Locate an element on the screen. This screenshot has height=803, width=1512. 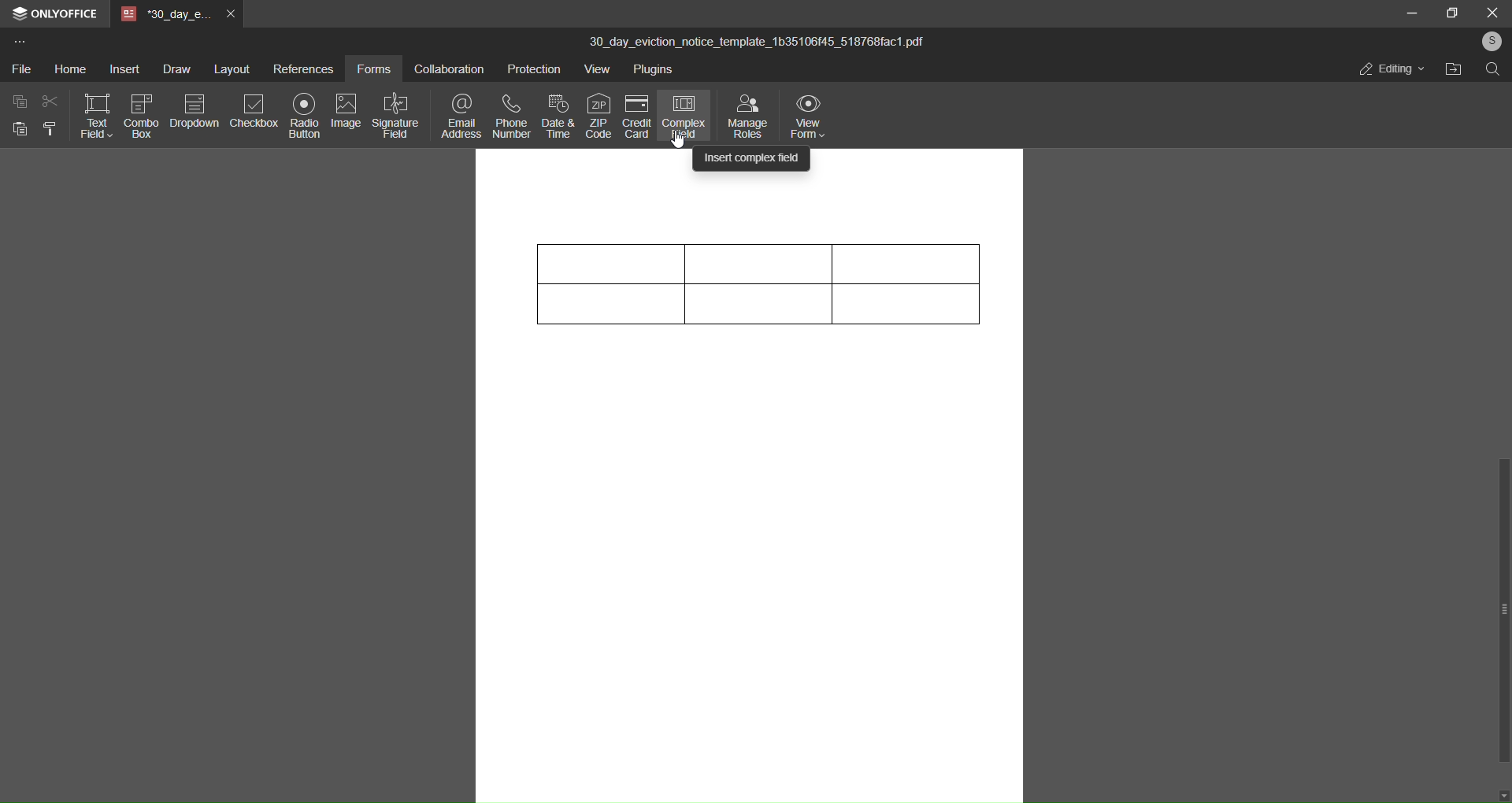
image is located at coordinates (343, 109).